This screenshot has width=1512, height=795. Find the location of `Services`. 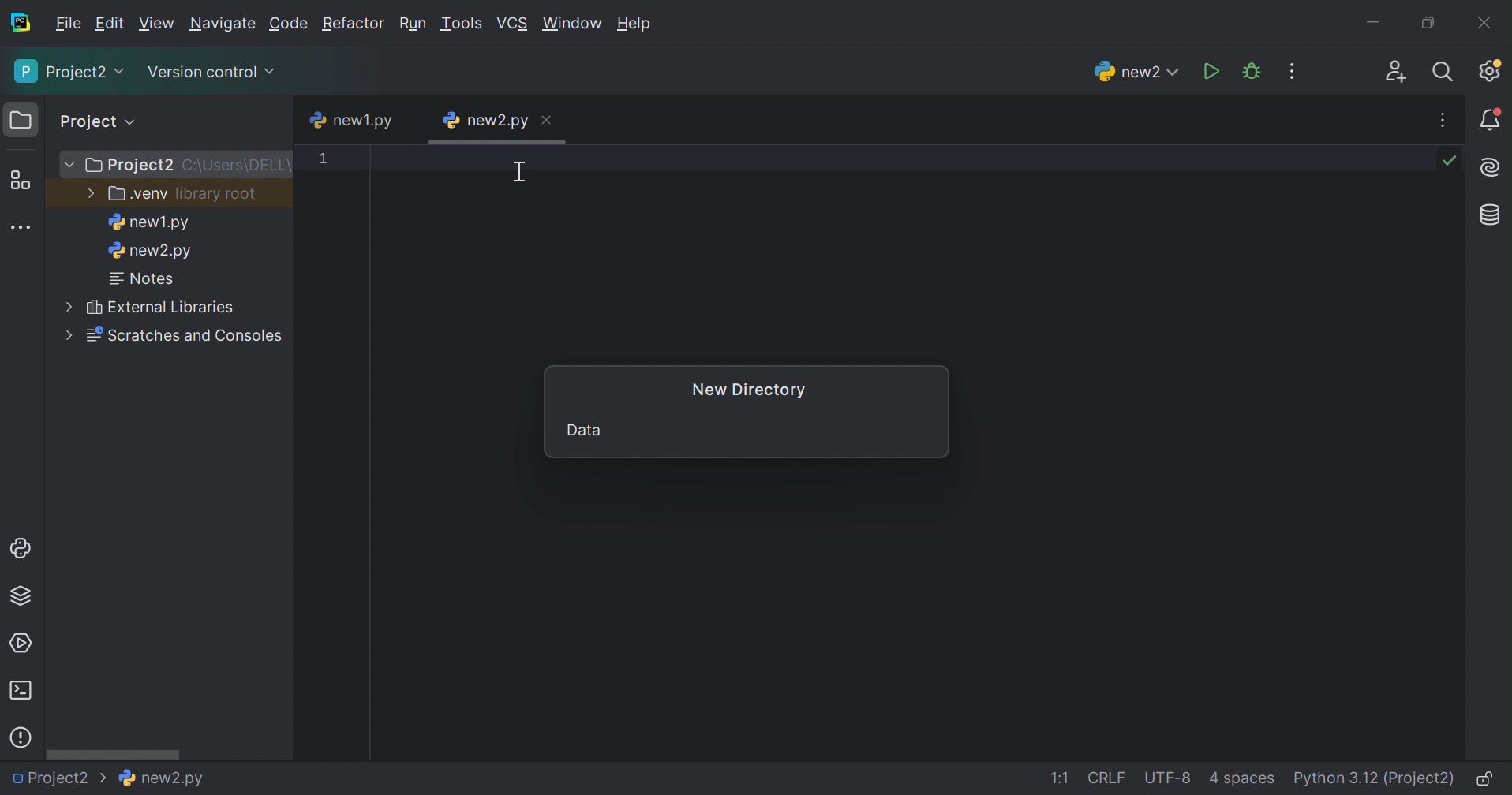

Services is located at coordinates (24, 642).